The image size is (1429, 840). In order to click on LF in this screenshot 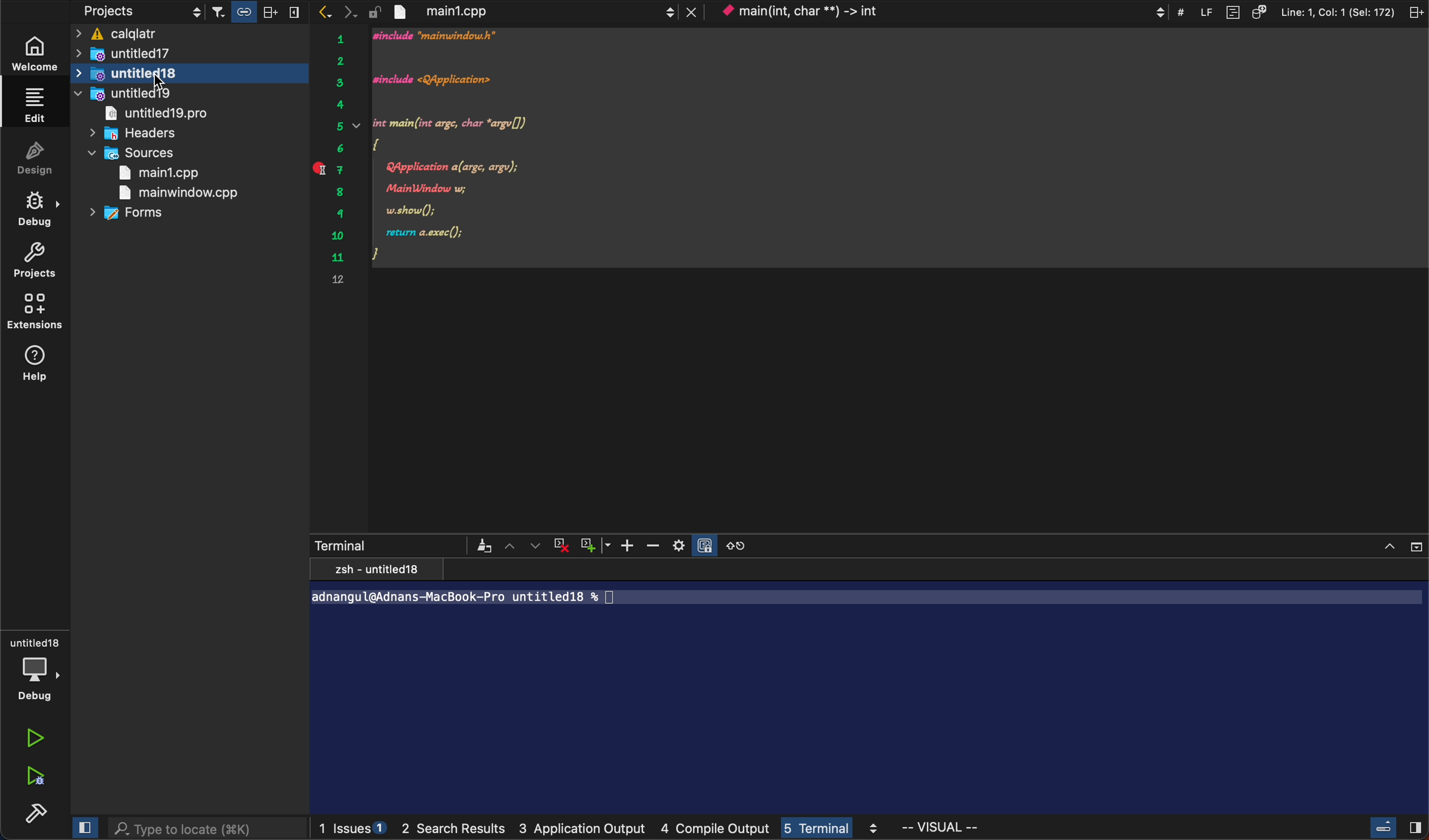, I will do `click(1202, 11)`.